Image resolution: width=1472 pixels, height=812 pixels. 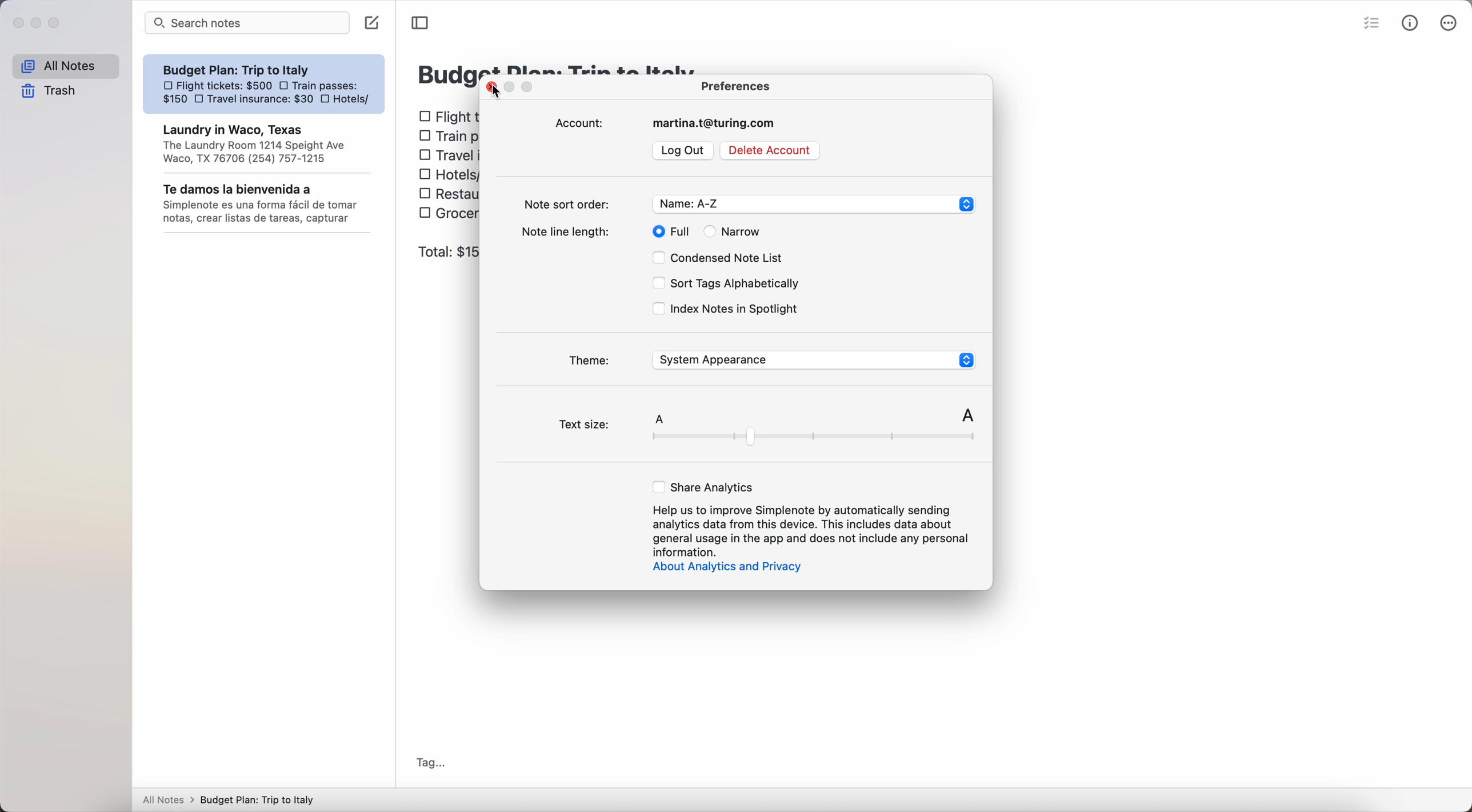 I want to click on close Simplenote, so click(x=18, y=24).